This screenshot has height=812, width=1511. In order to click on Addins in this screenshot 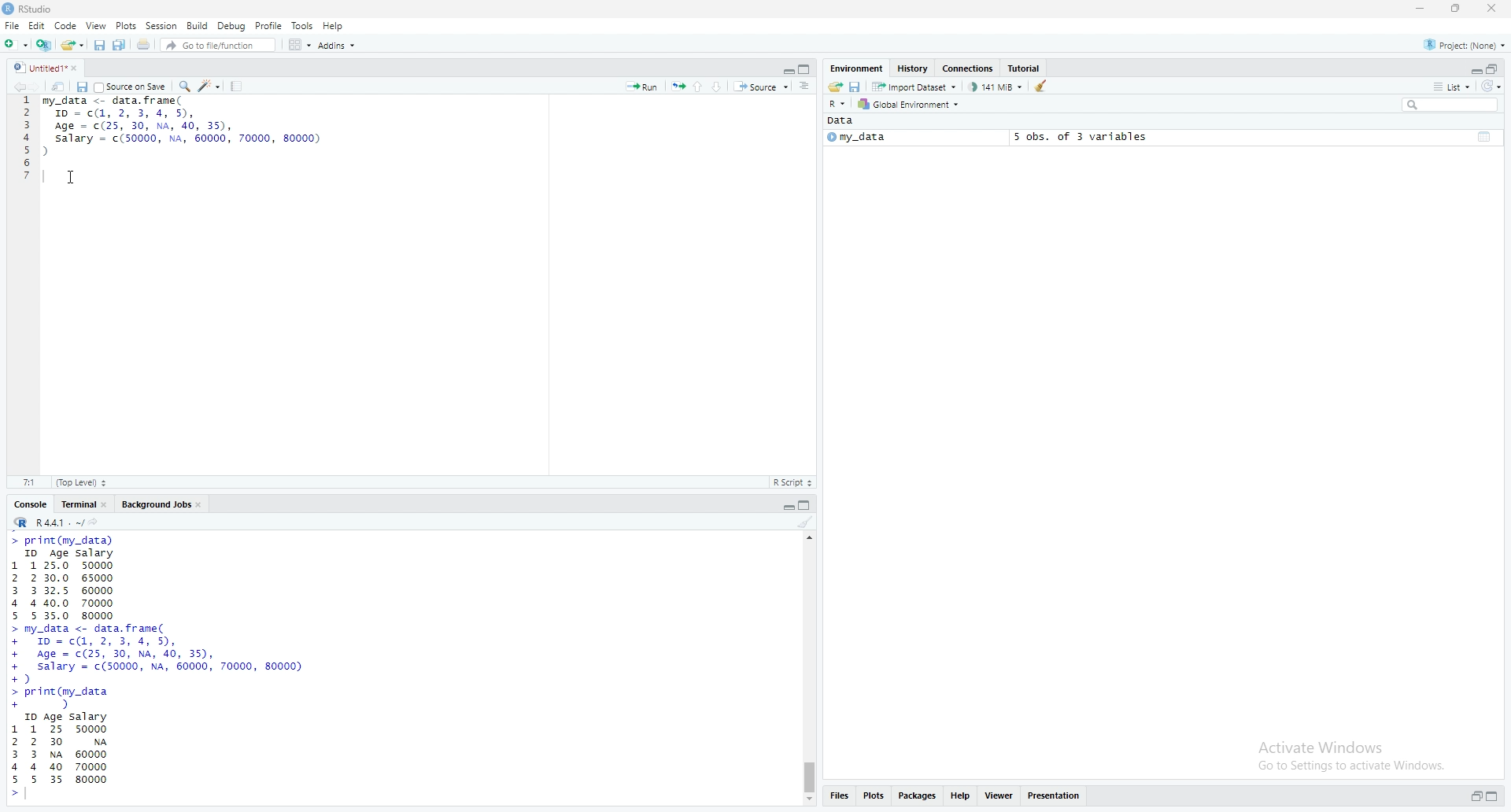, I will do `click(338, 46)`.